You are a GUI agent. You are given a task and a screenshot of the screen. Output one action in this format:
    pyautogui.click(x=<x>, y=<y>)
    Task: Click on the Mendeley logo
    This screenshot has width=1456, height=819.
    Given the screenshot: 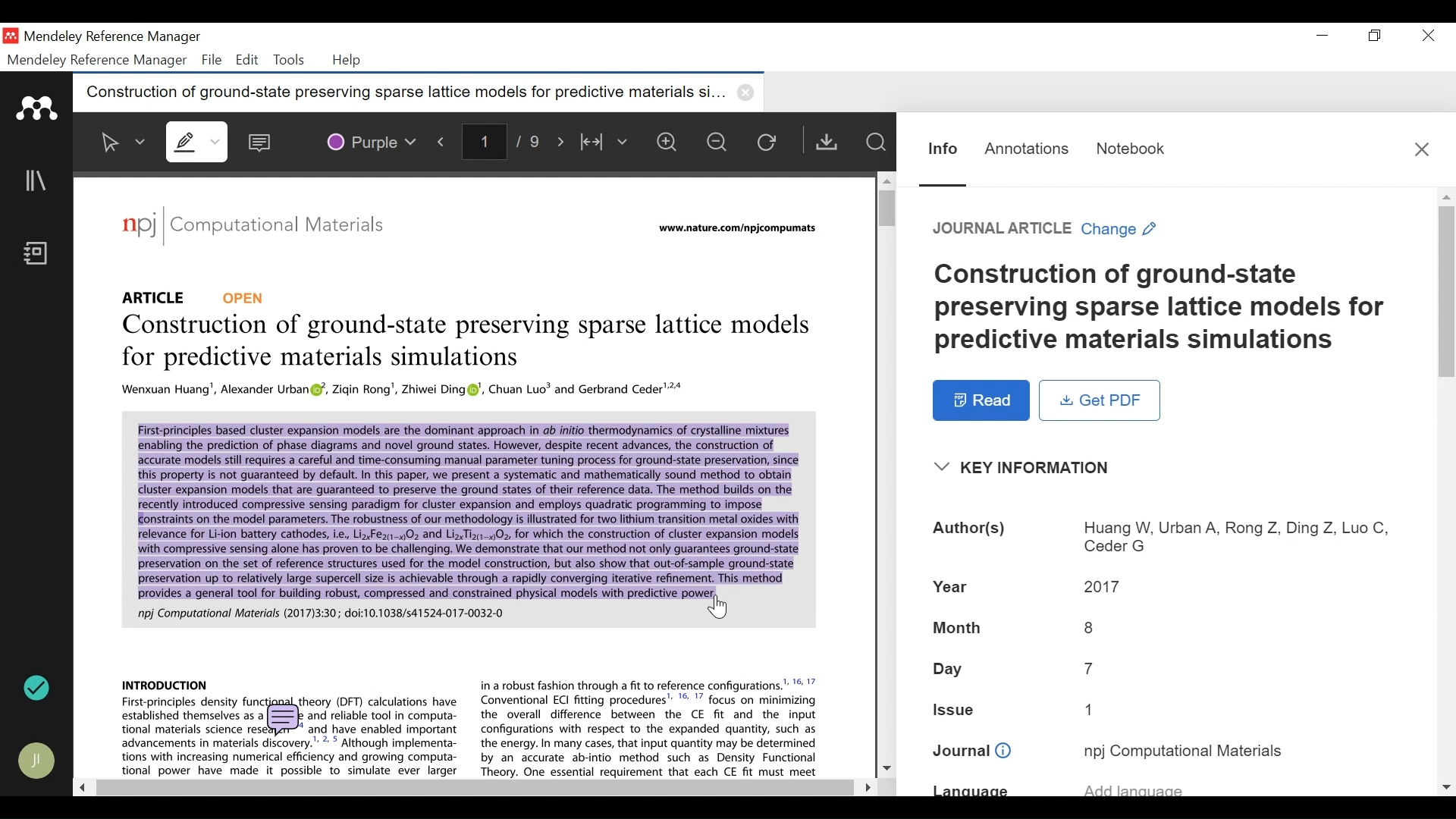 What is the action you would take?
    pyautogui.click(x=39, y=108)
    